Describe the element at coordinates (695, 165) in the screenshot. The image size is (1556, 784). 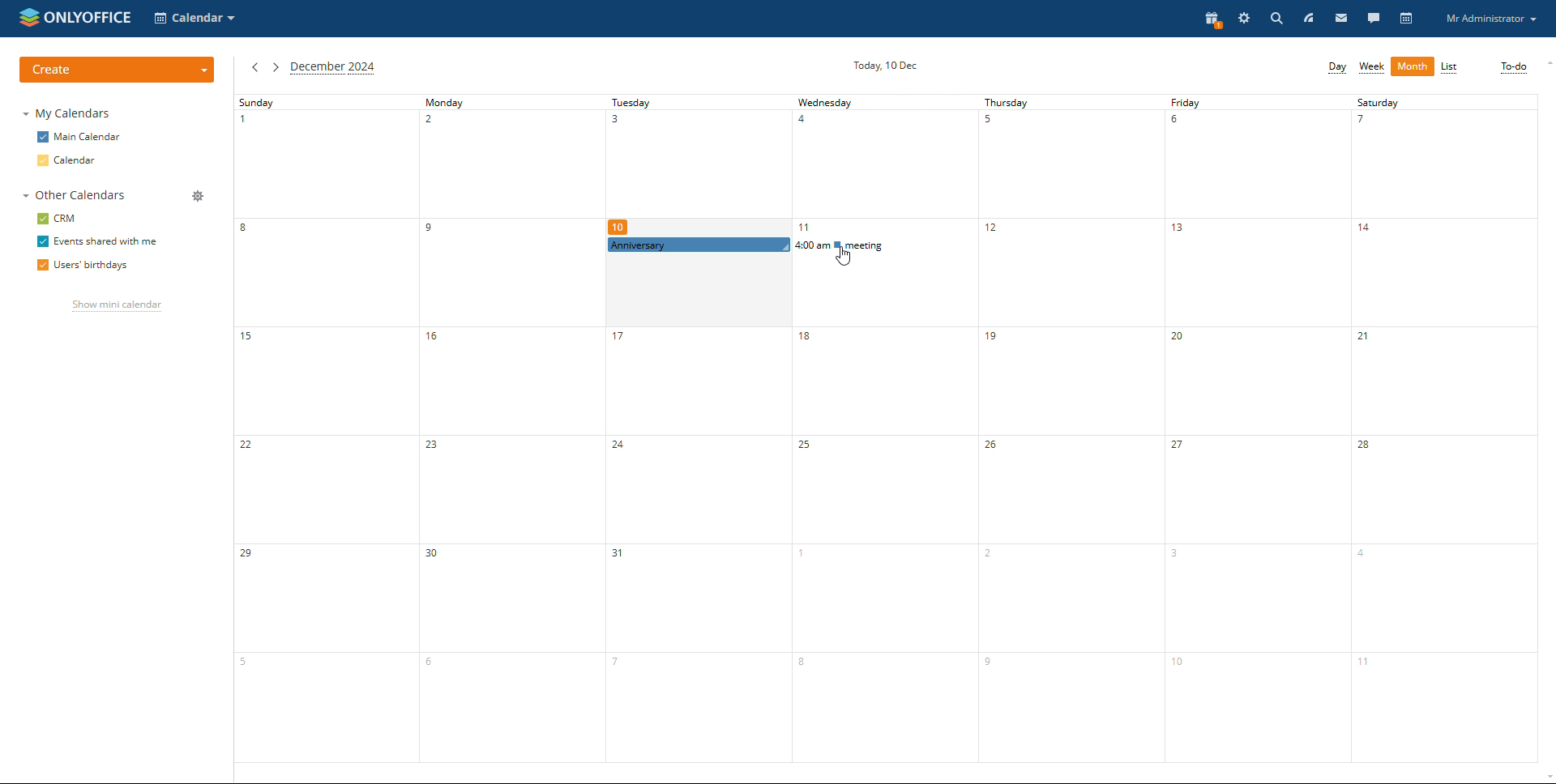
I see `tuesday` at that location.